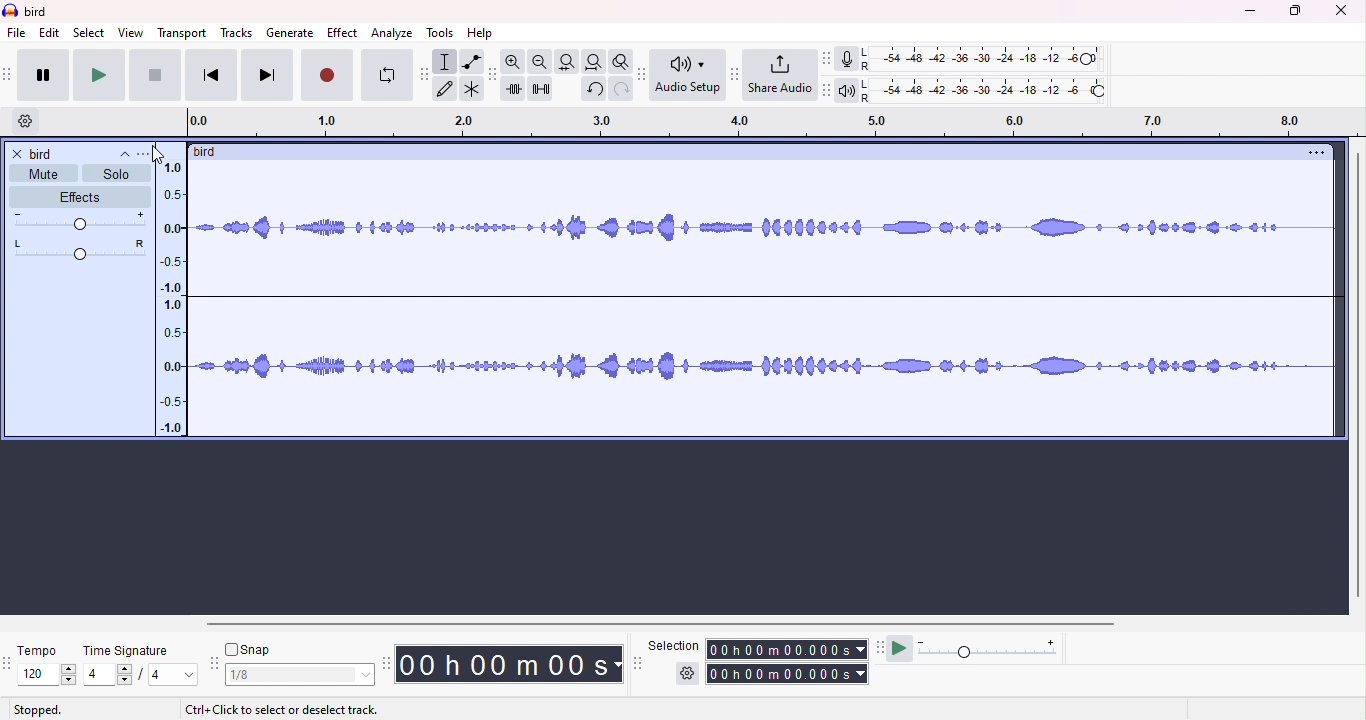 The image size is (1366, 720). I want to click on cursor, so click(157, 155).